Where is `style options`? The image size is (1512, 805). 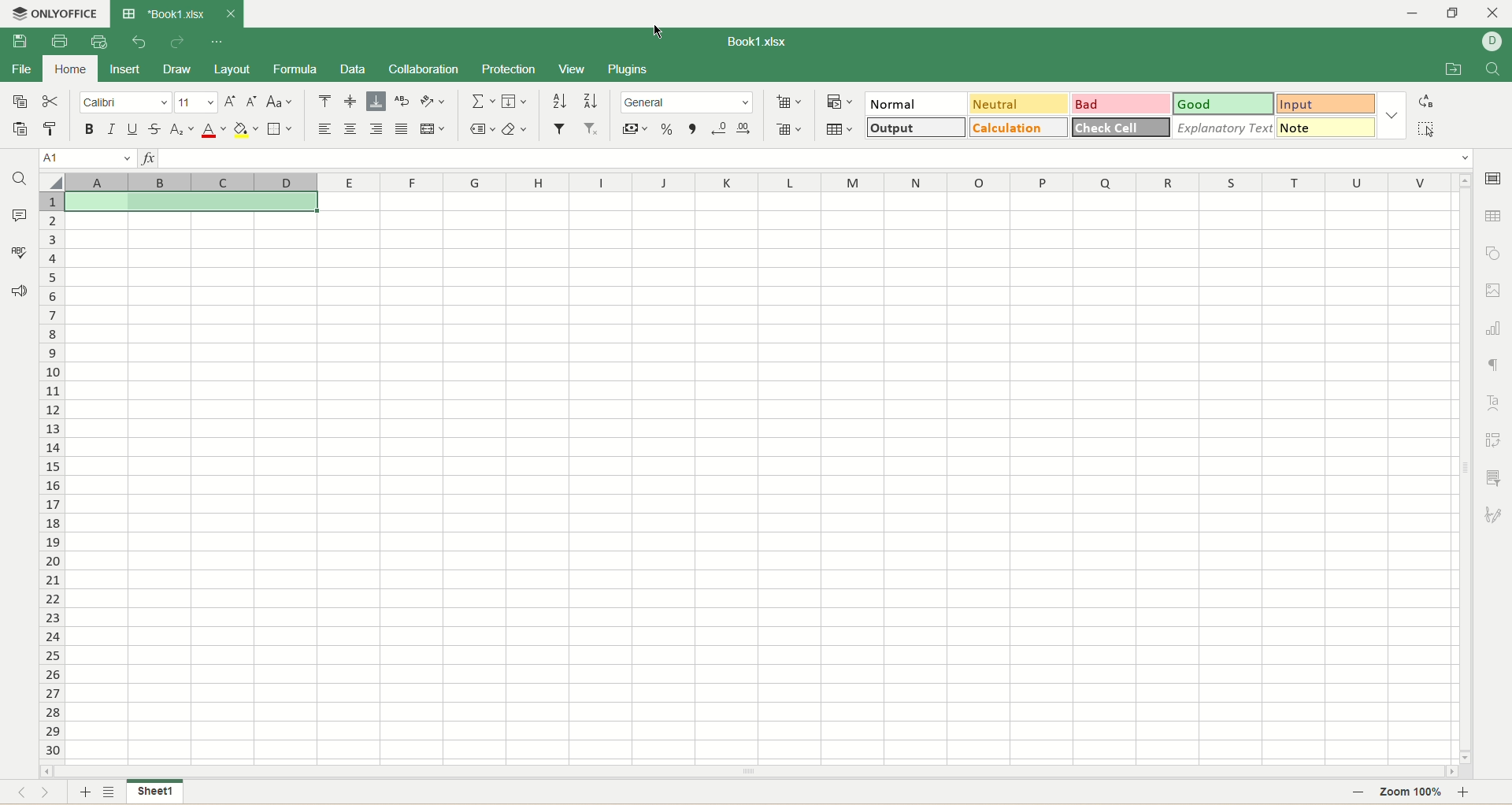
style options is located at coordinates (1390, 114).